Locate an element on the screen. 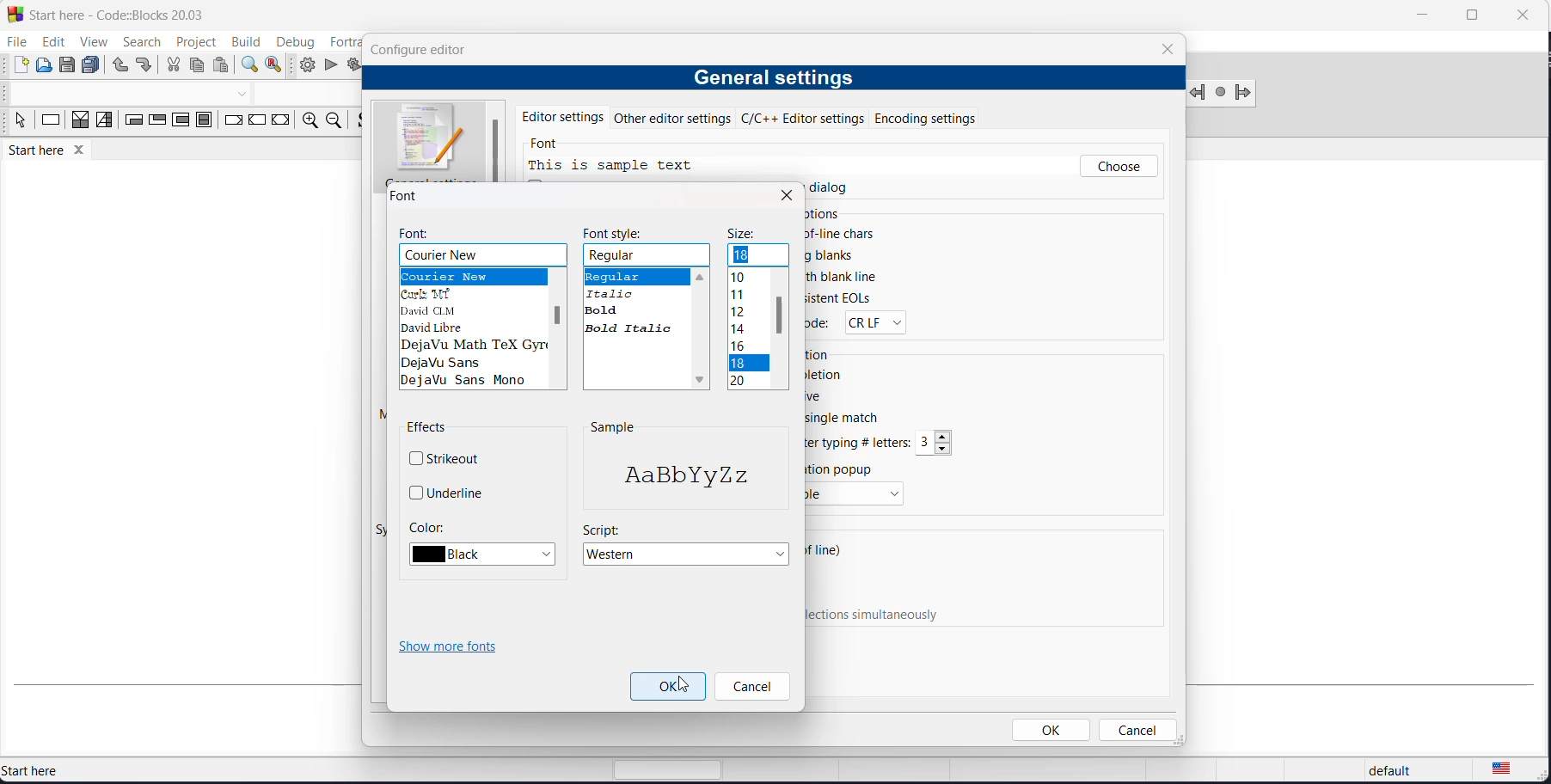  EOL modes options is located at coordinates (873, 322).